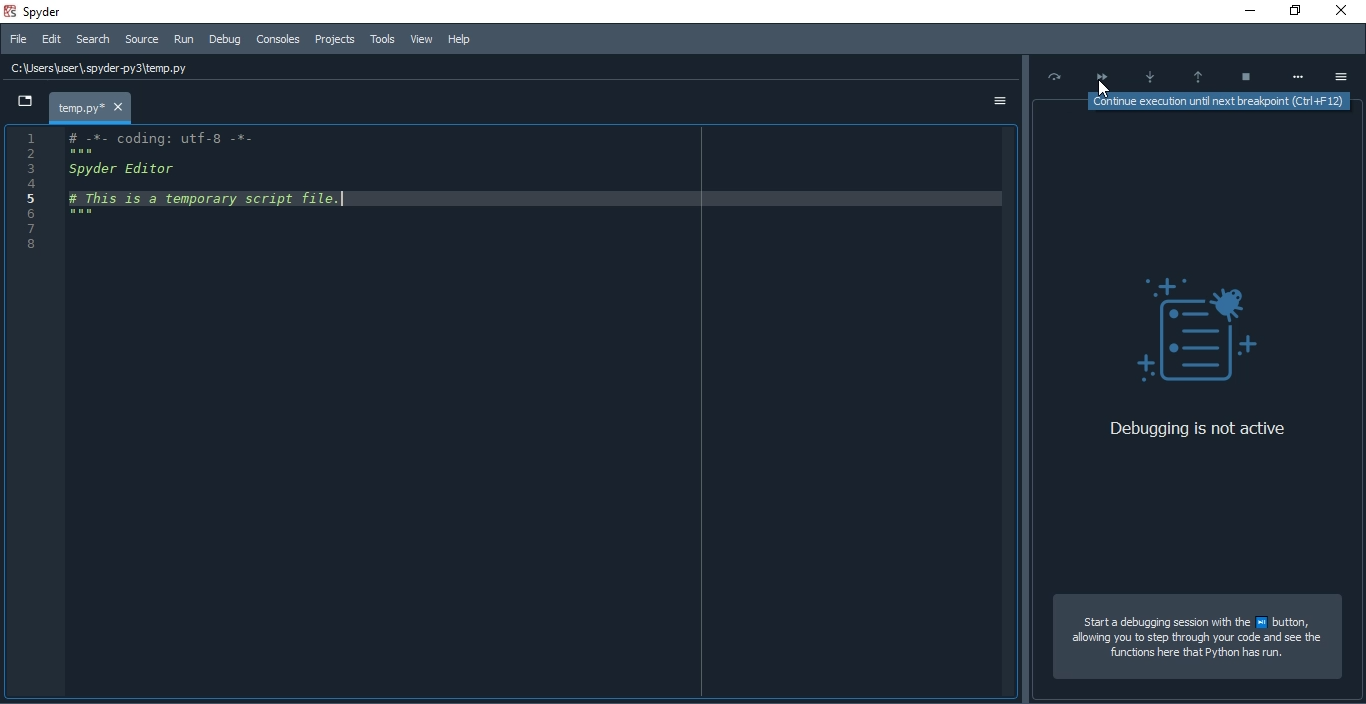 The image size is (1366, 704). I want to click on File , so click(19, 38).